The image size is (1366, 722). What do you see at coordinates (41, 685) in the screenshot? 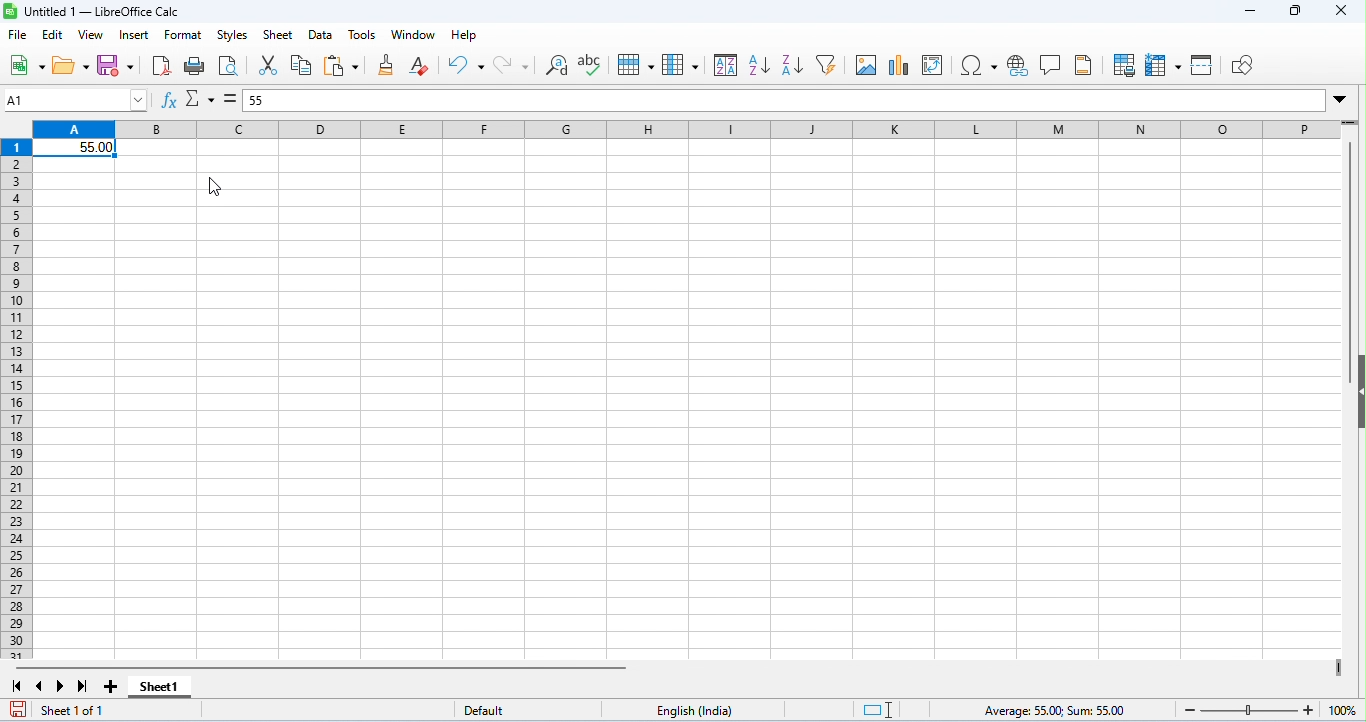
I see `previous sheet` at bounding box center [41, 685].